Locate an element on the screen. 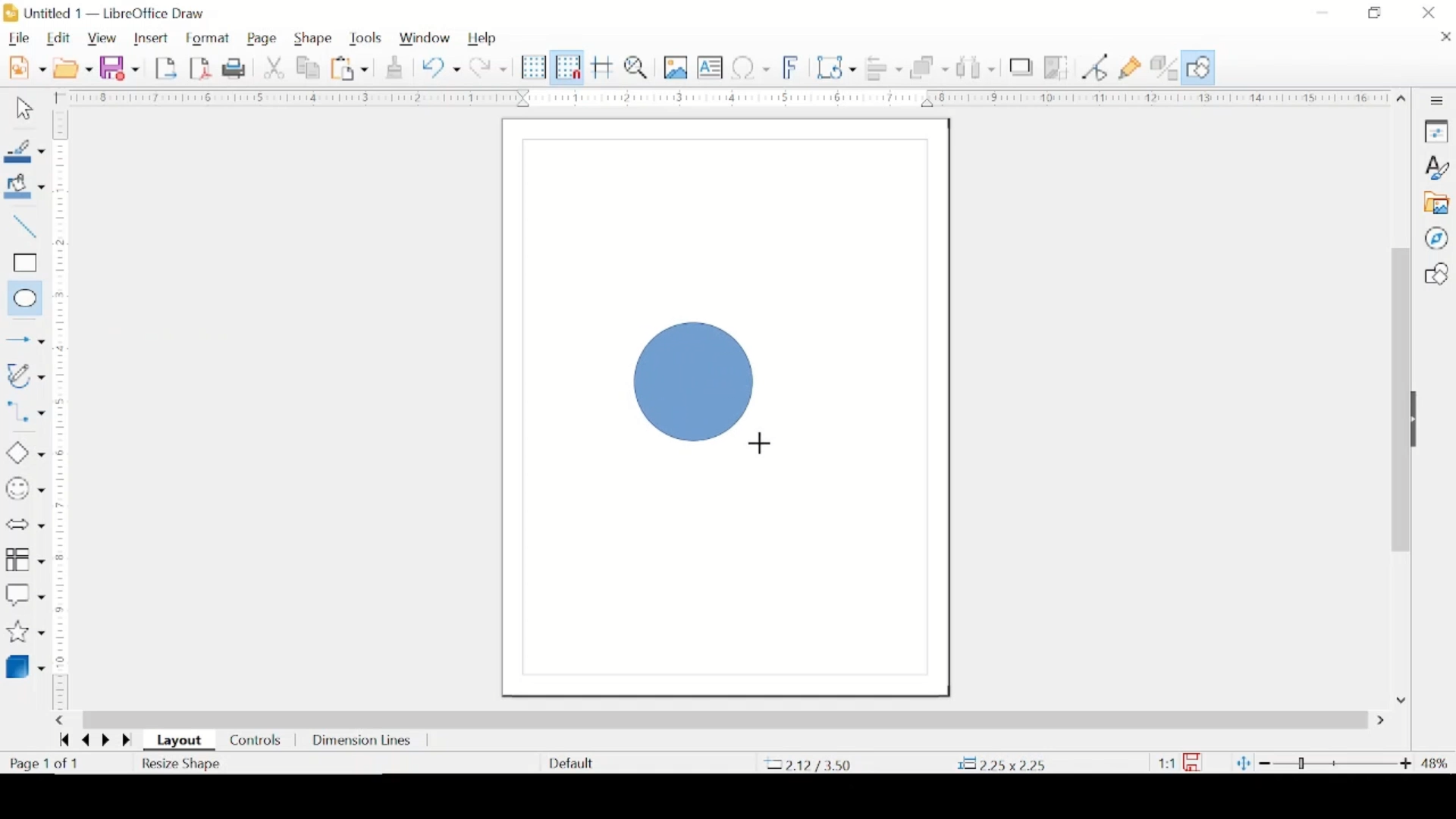 Image resolution: width=1456 pixels, height=819 pixels. 3d objects is located at coordinates (28, 666).